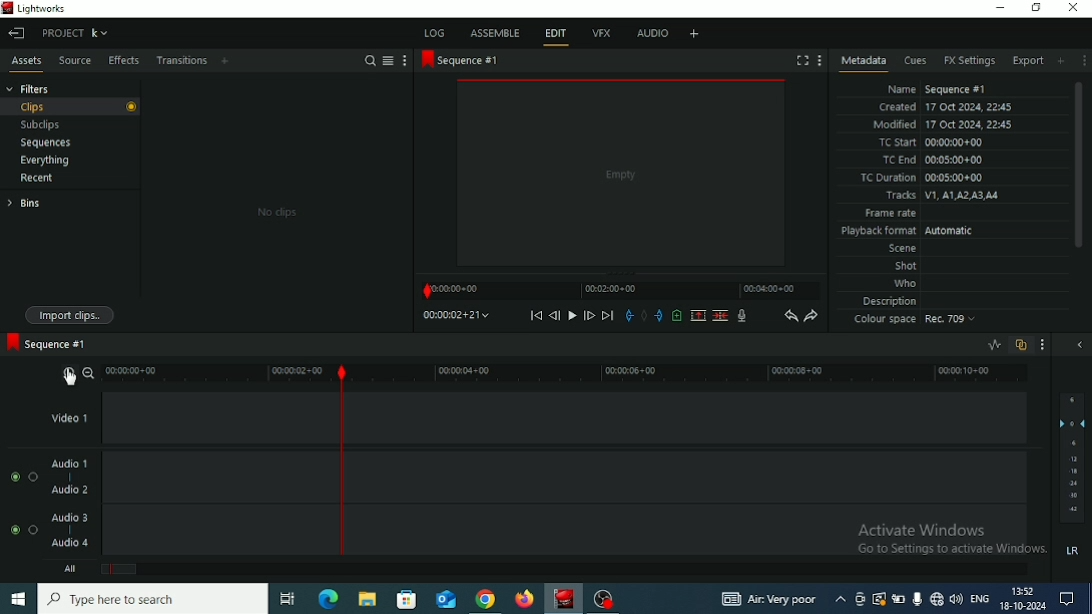  I want to click on Everything, so click(44, 160).